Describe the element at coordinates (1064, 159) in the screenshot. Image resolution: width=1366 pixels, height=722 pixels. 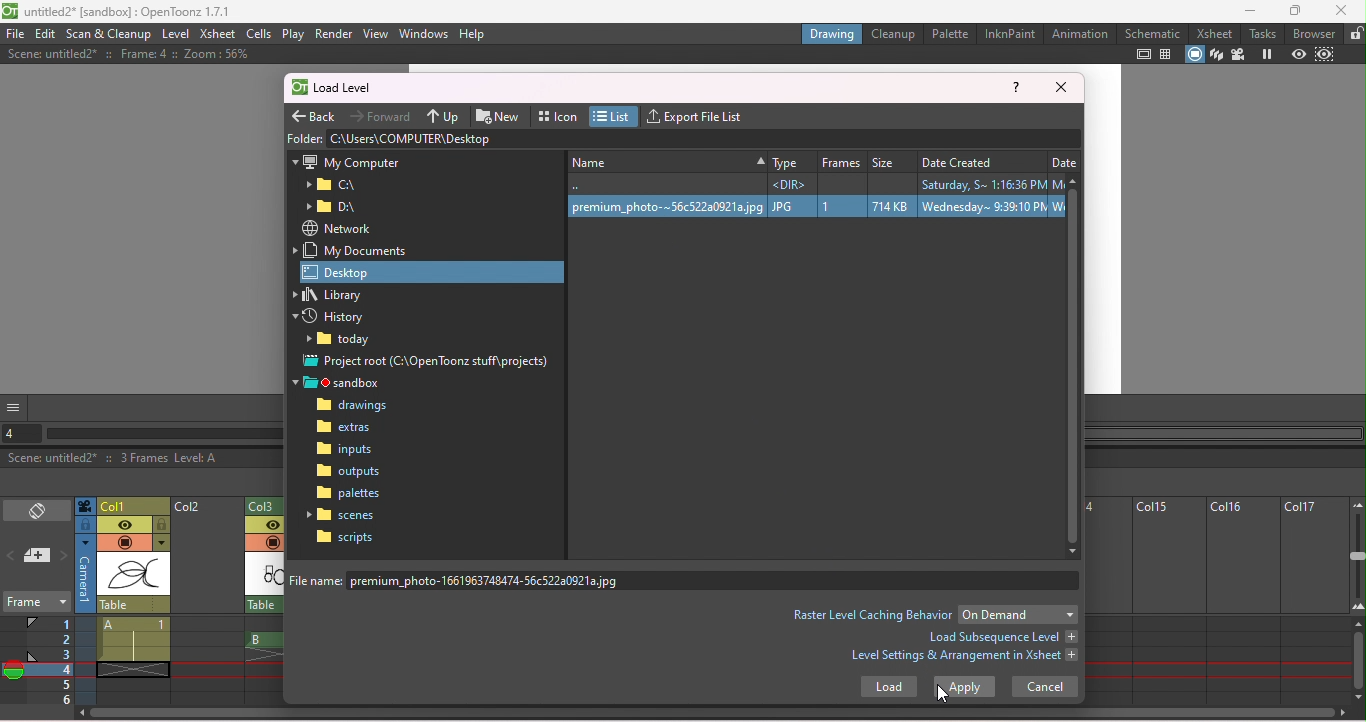
I see `Date ` at that location.